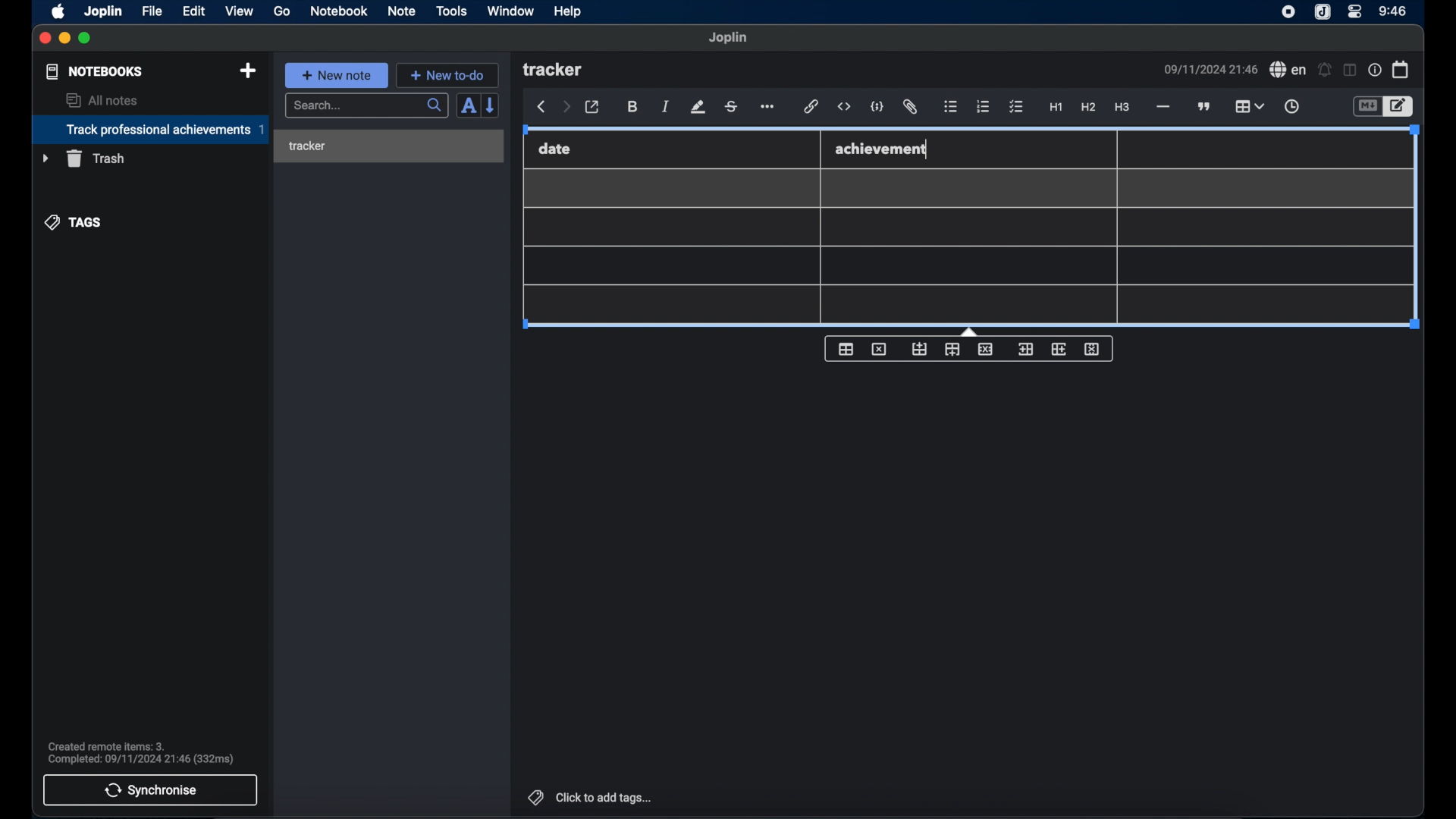 The image size is (1456, 819). Describe the element at coordinates (666, 108) in the screenshot. I see `italic` at that location.